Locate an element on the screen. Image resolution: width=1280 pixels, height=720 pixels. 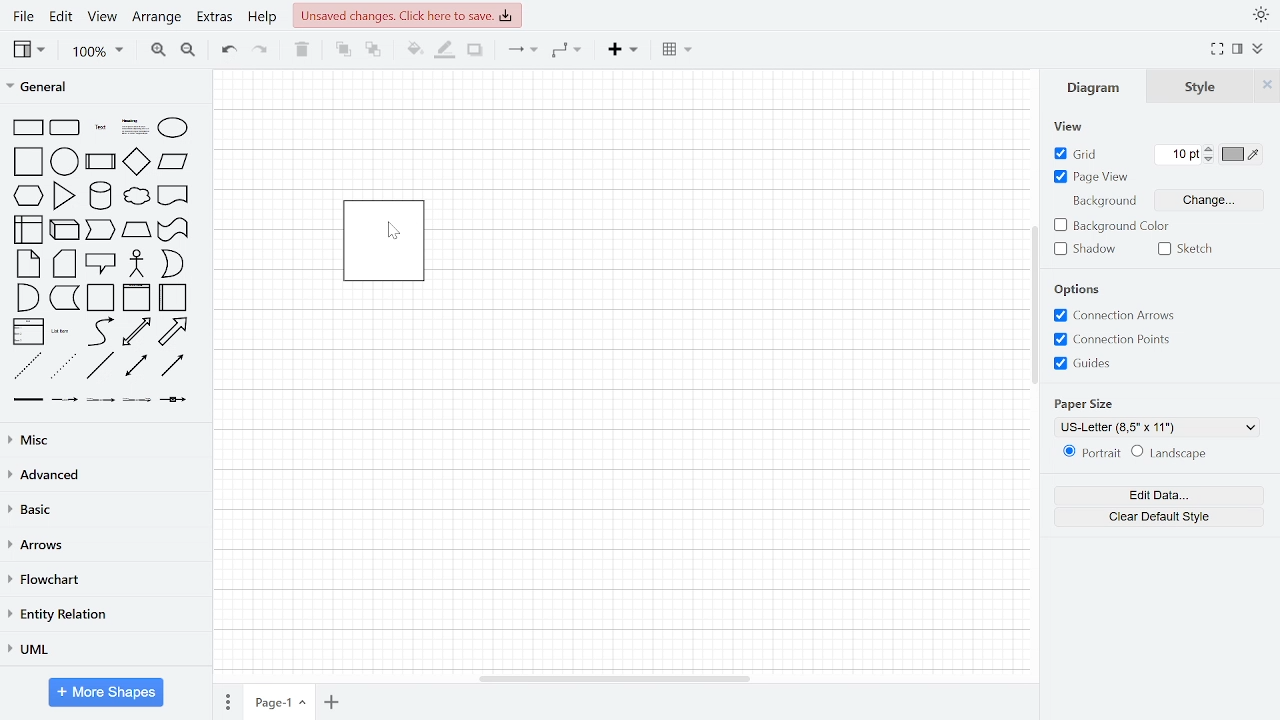
data storage is located at coordinates (65, 297).